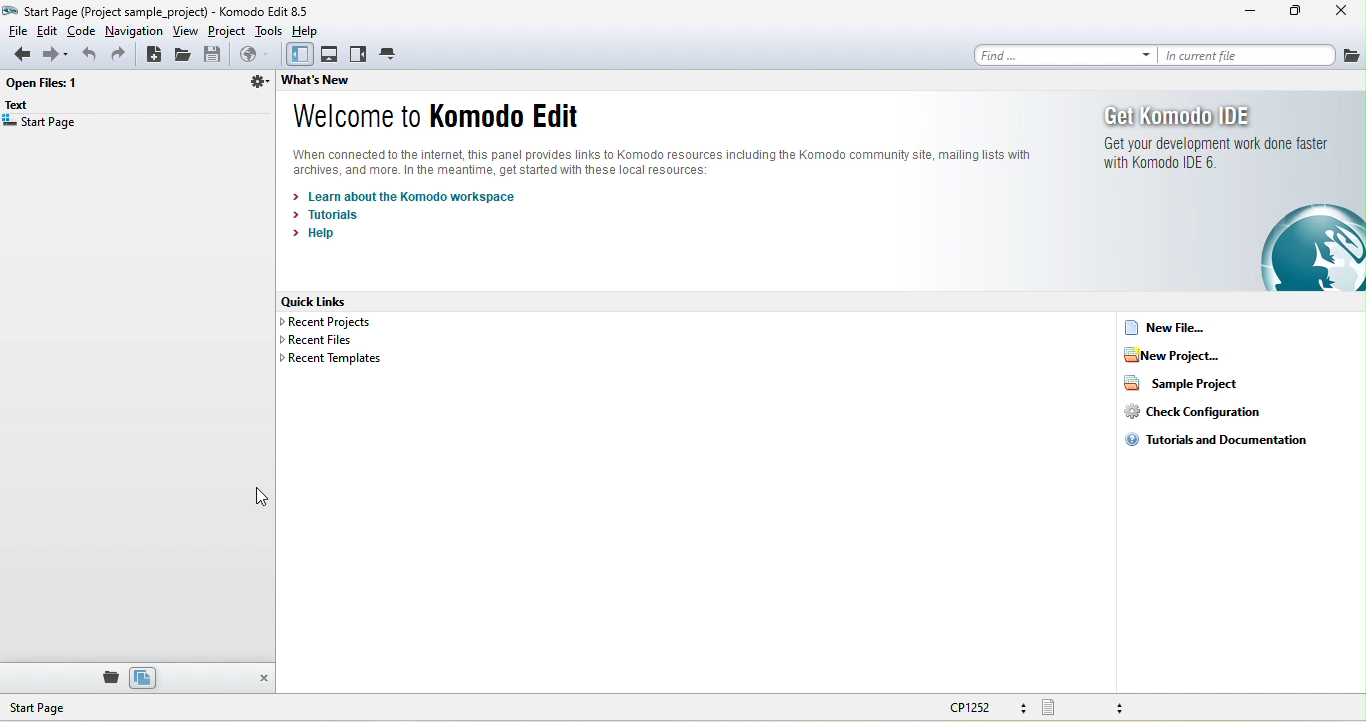  What do you see at coordinates (297, 55) in the screenshot?
I see `left pane` at bounding box center [297, 55].